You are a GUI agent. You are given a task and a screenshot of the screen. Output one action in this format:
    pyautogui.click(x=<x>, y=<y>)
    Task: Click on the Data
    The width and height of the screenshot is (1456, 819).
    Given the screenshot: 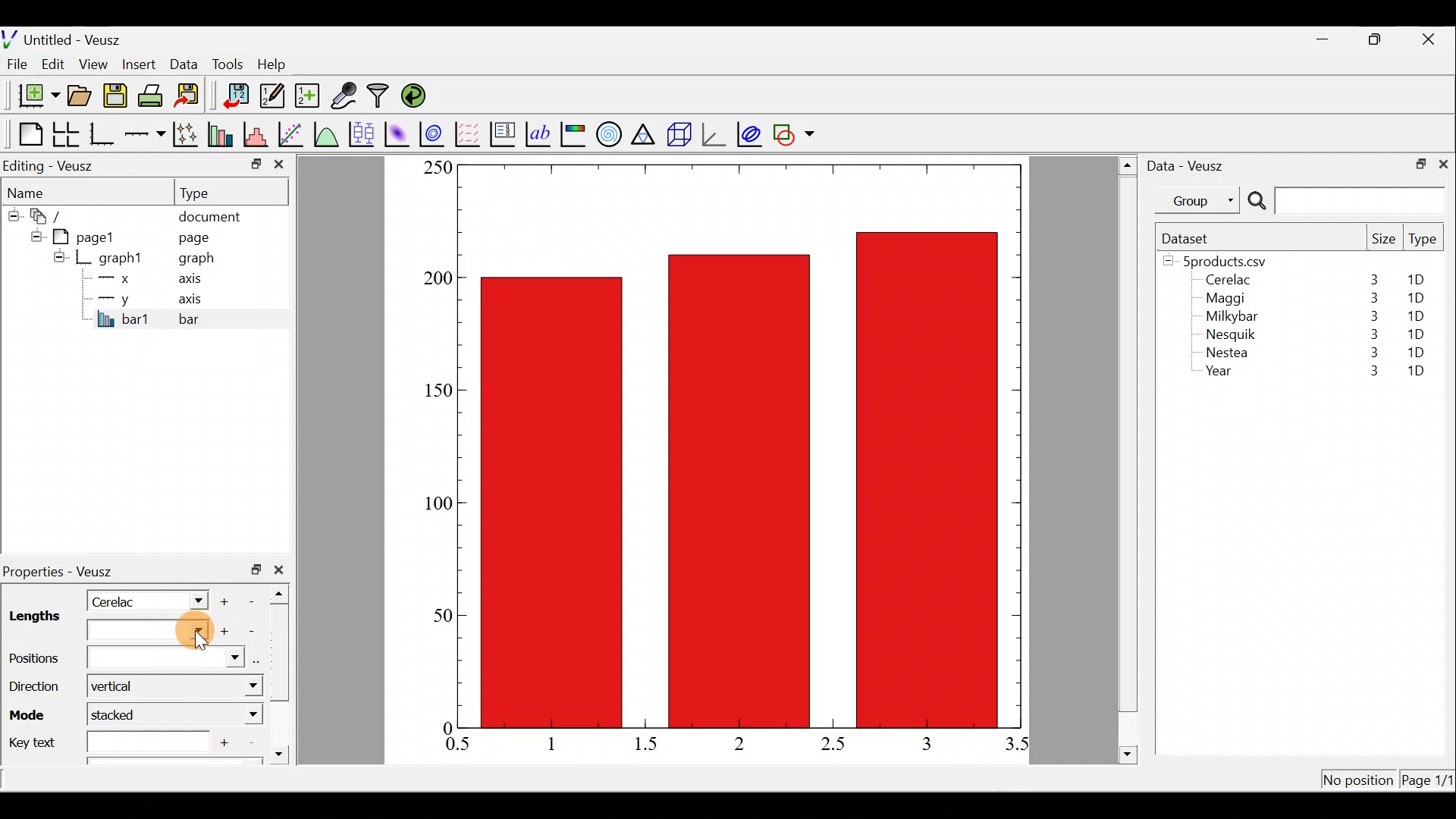 What is the action you would take?
    pyautogui.click(x=184, y=63)
    